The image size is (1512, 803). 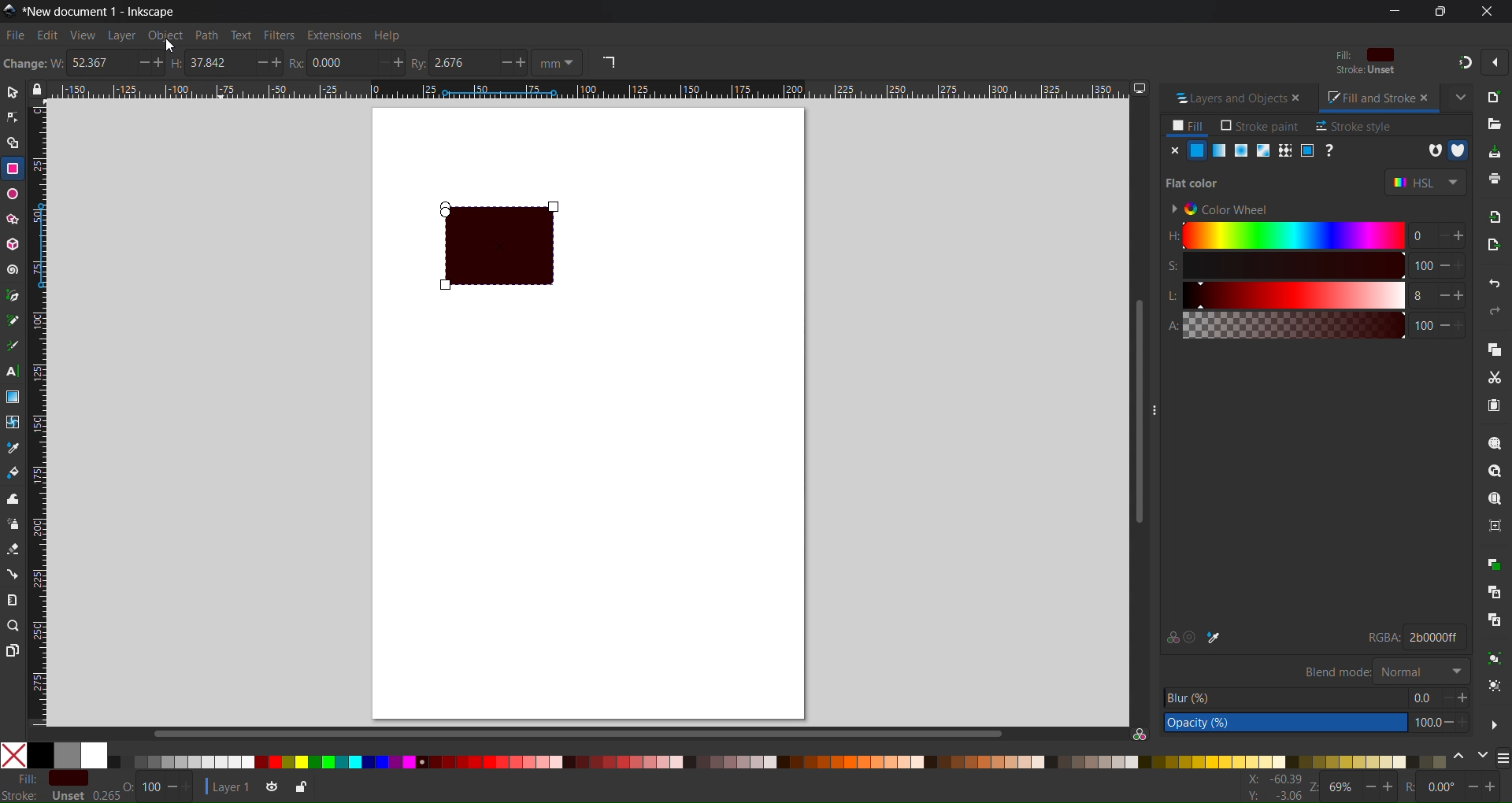 I want to click on Color wheel, so click(x=1226, y=207).